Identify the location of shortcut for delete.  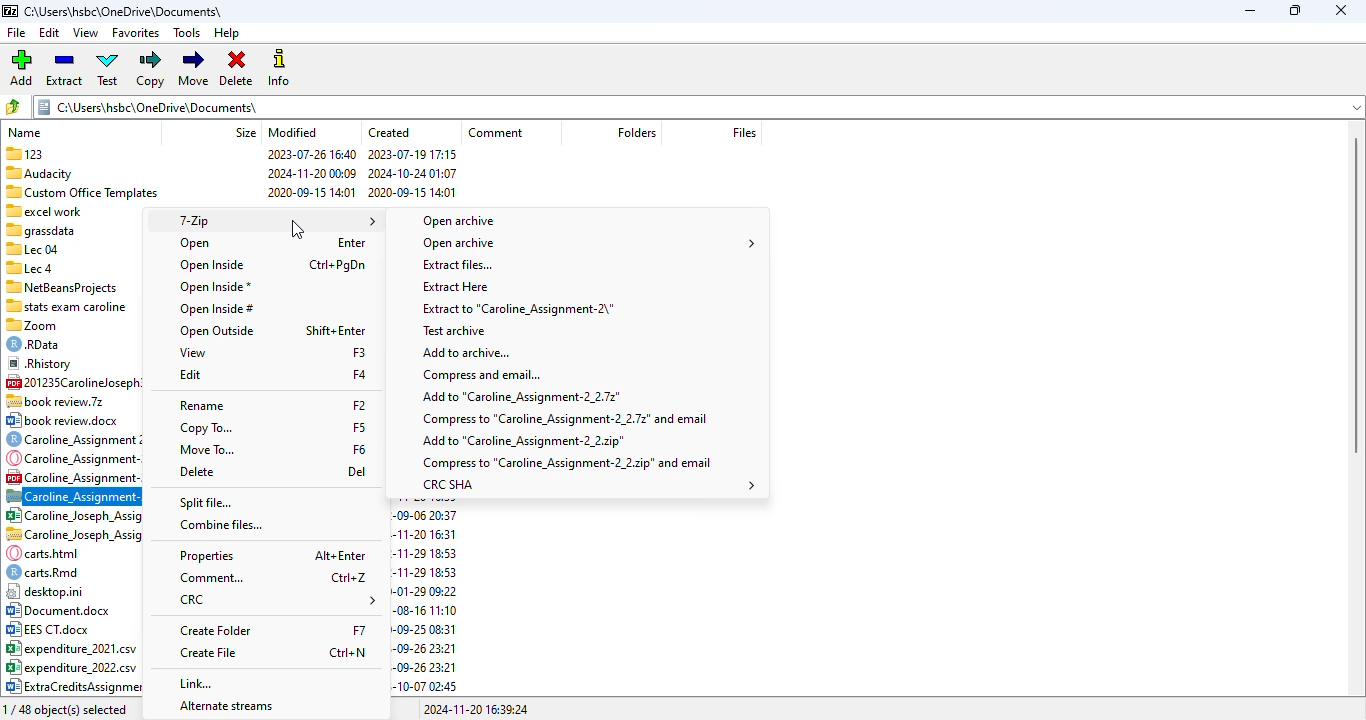
(357, 471).